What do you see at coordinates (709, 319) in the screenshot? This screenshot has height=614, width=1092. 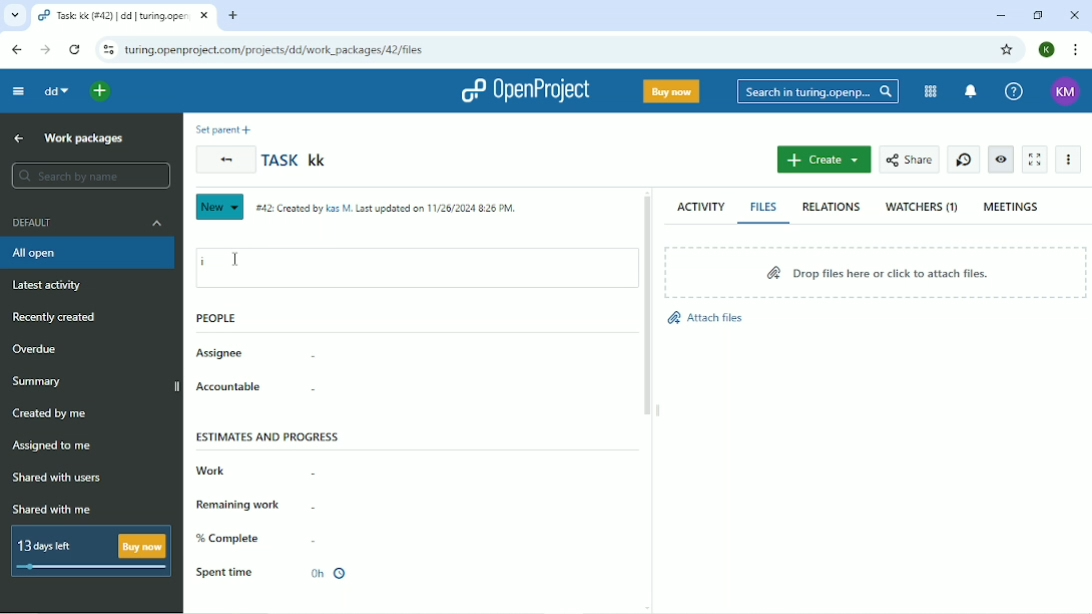 I see `Attach files` at bounding box center [709, 319].